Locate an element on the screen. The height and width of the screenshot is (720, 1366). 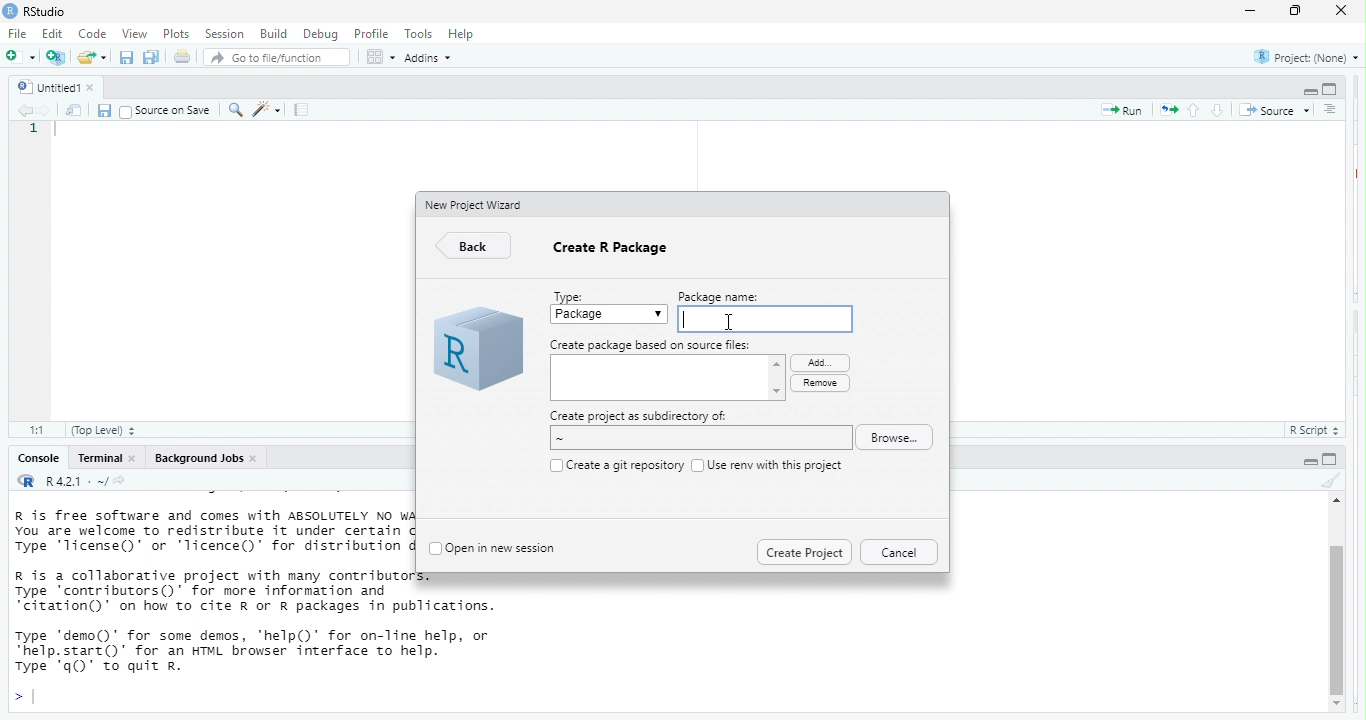
Debug is located at coordinates (319, 34).